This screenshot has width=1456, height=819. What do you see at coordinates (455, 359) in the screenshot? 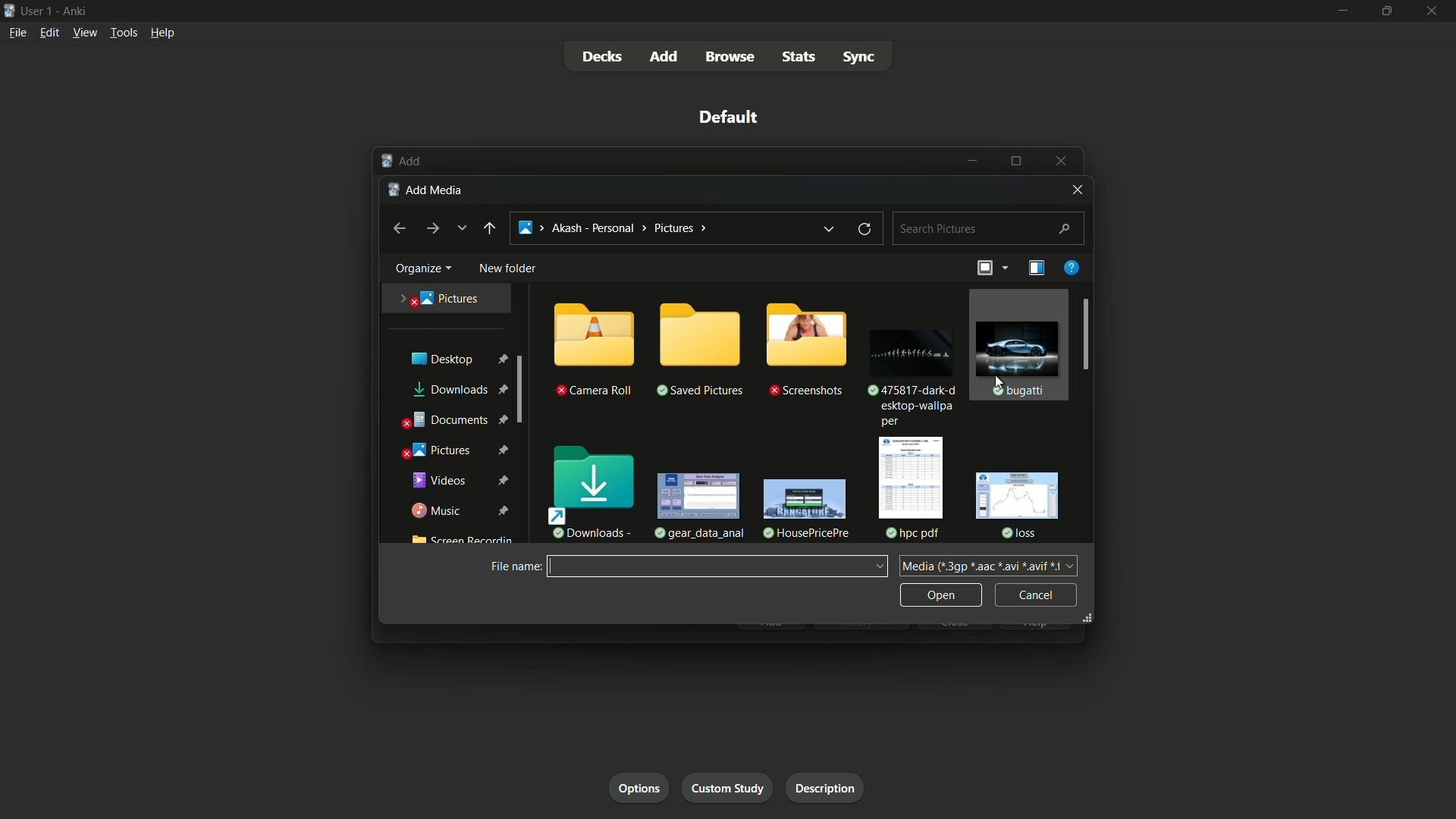
I see `desktop` at bounding box center [455, 359].